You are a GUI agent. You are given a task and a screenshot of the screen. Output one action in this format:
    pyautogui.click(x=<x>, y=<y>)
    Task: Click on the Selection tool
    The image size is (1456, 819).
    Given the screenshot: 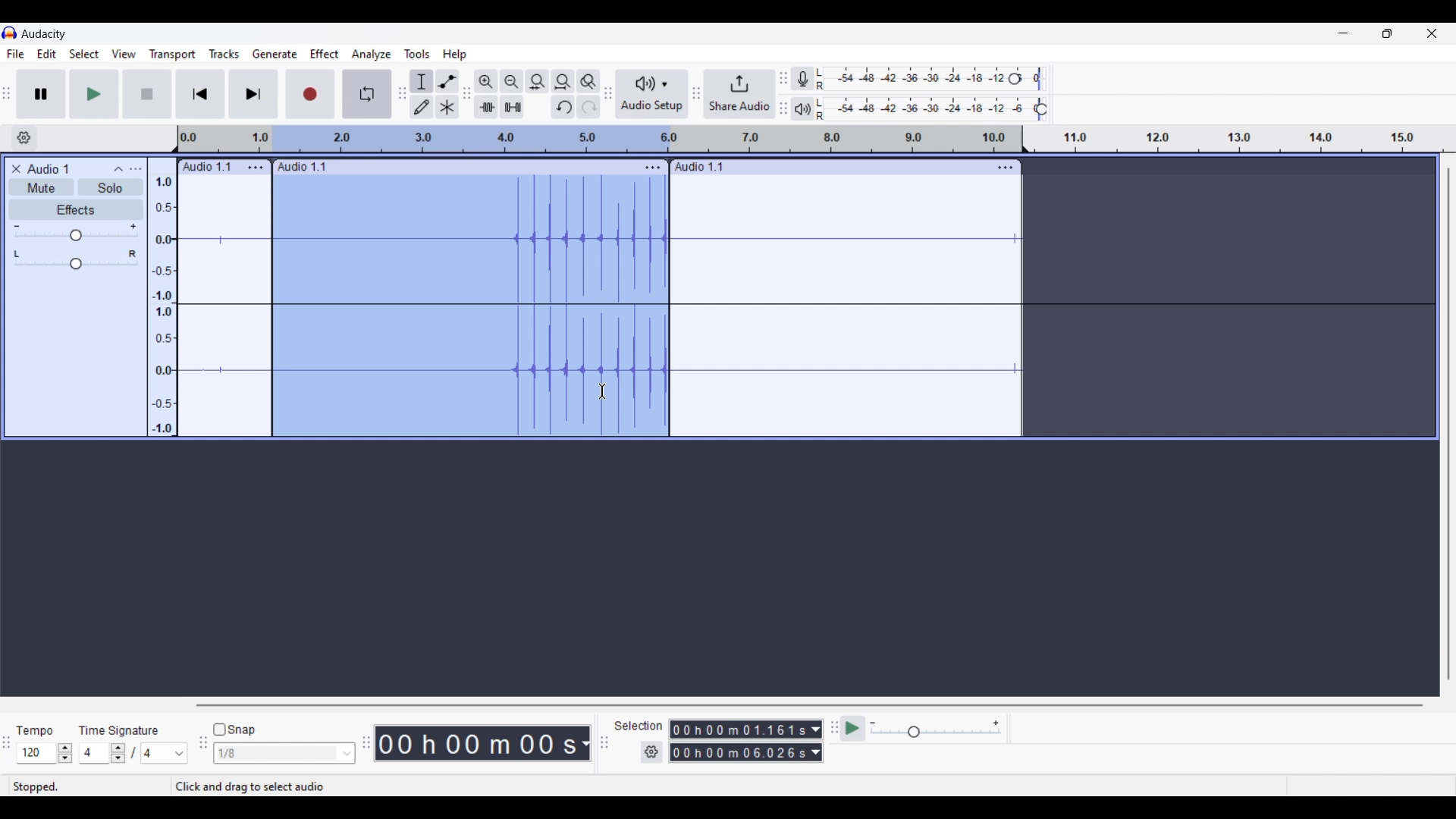 What is the action you would take?
    pyautogui.click(x=421, y=80)
    